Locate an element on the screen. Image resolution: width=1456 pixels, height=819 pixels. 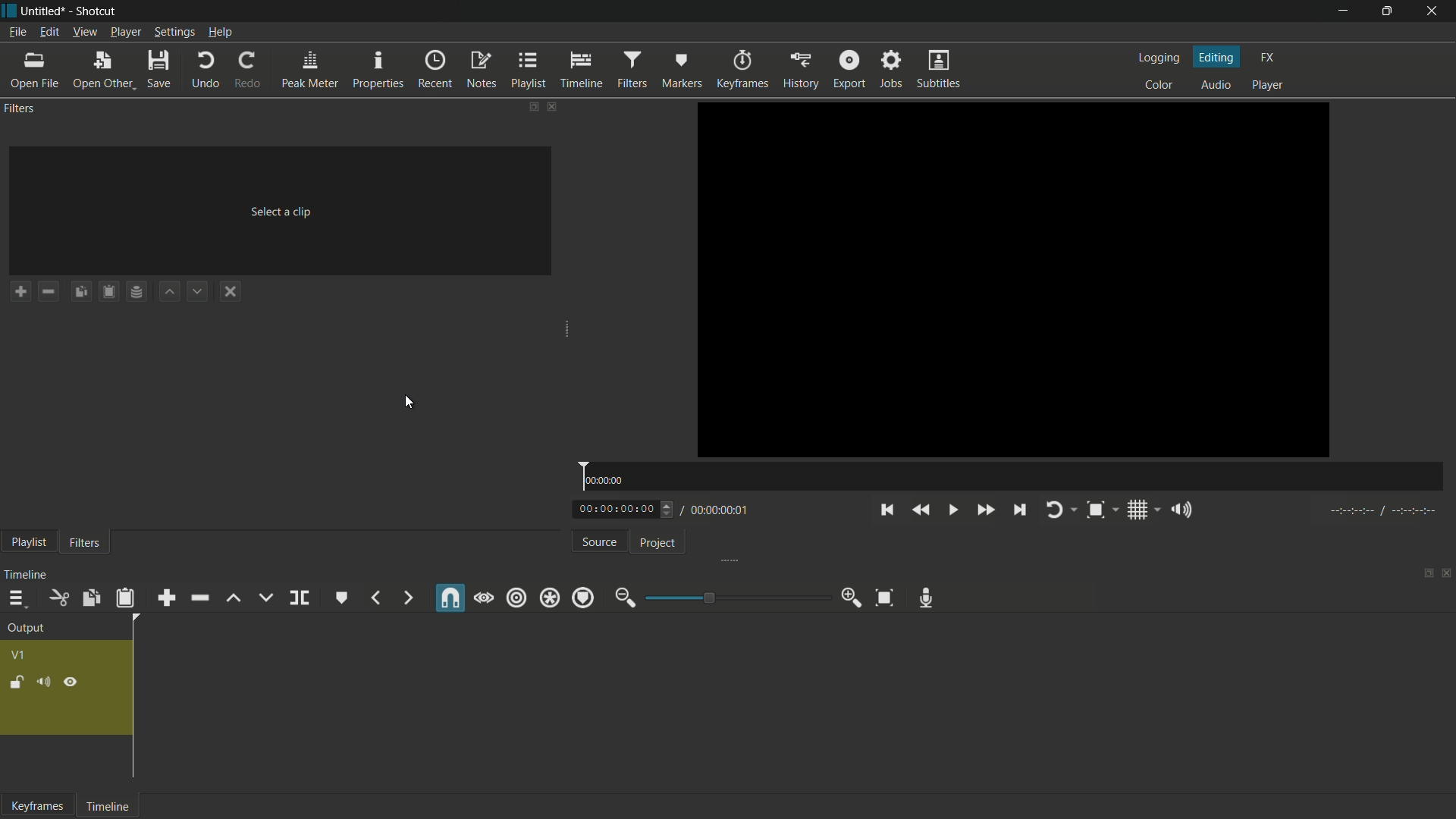
link is located at coordinates (73, 683).